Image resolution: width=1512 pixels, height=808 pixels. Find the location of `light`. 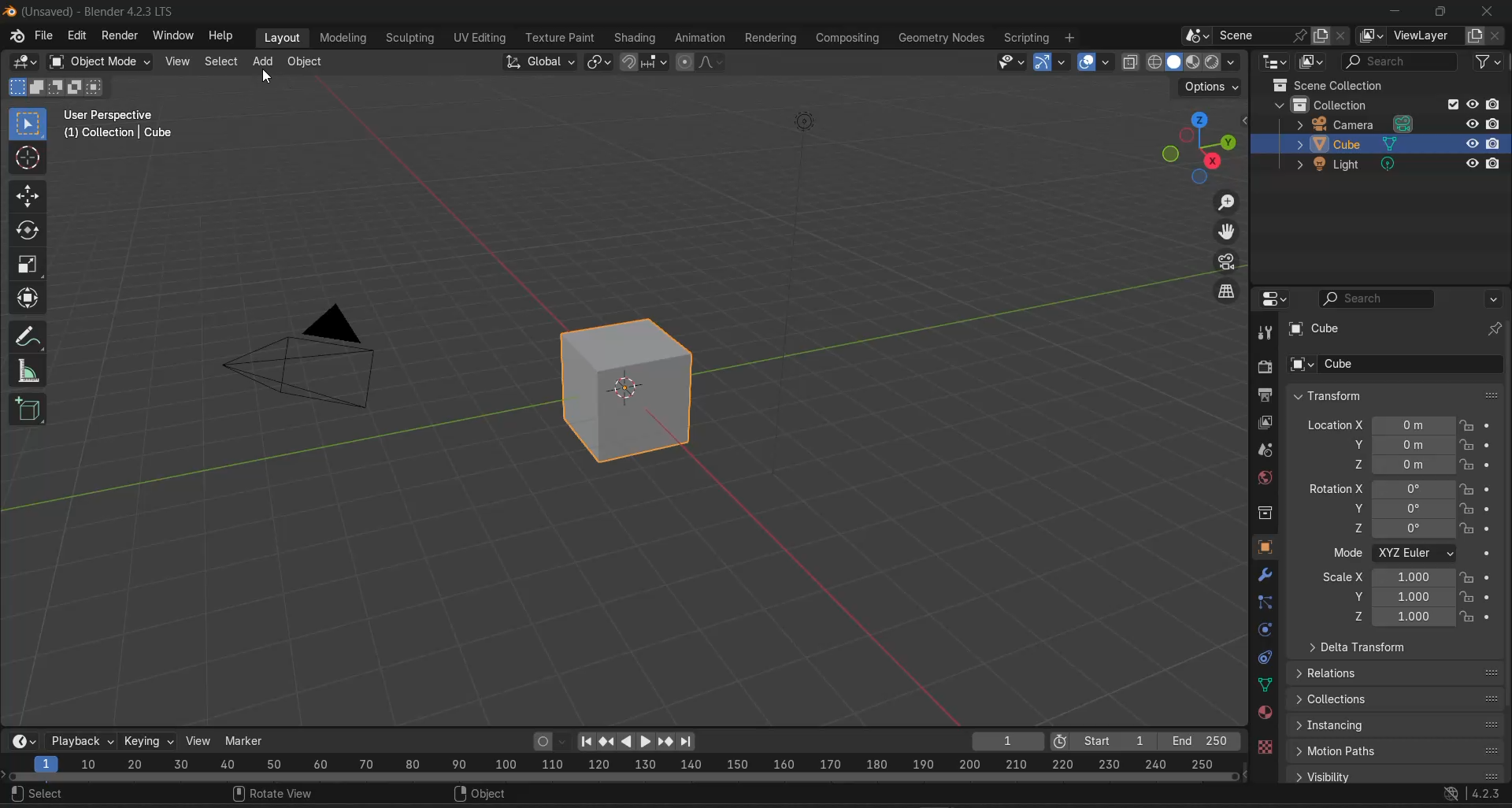

light is located at coordinates (1354, 163).